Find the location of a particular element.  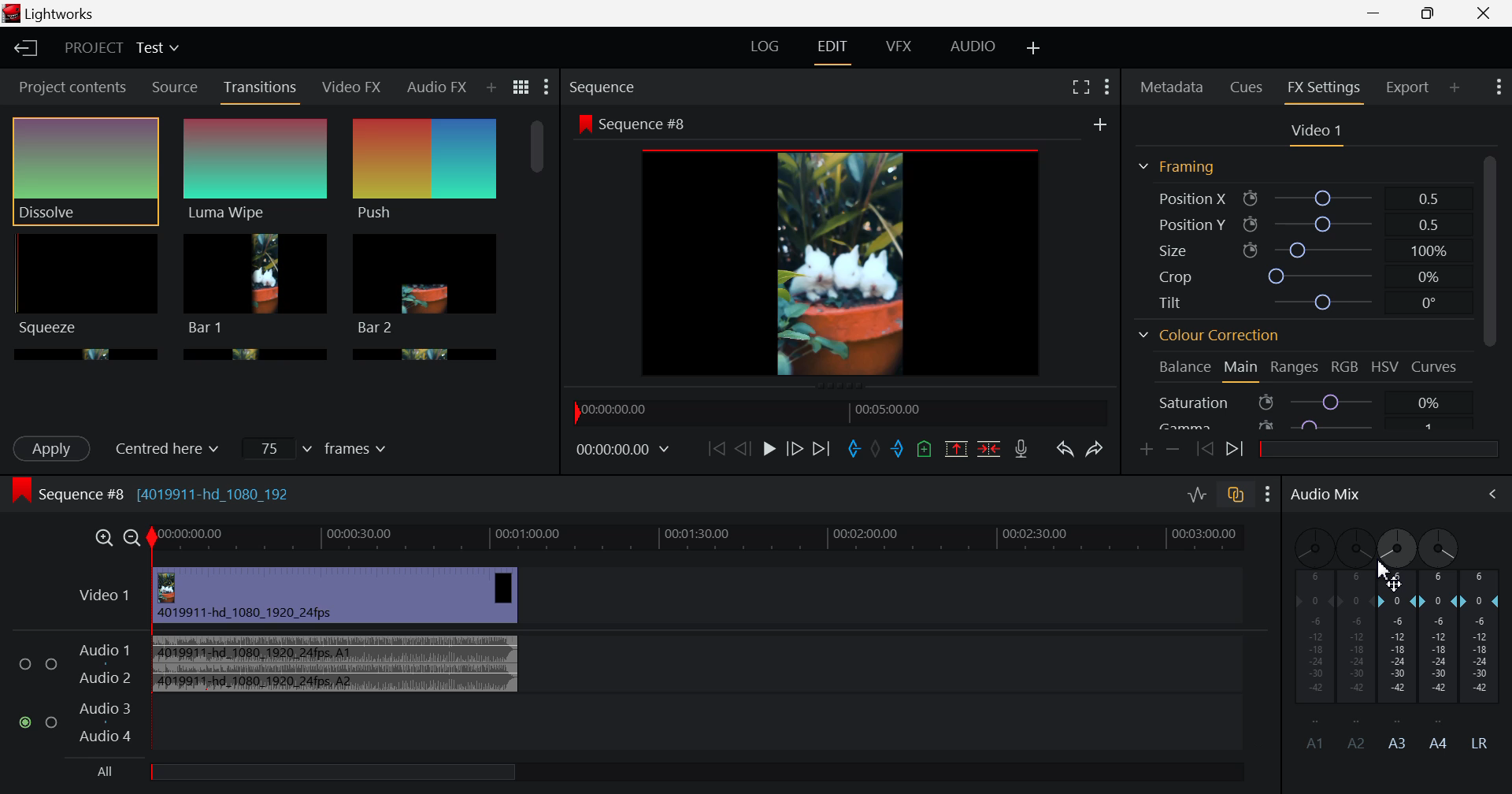

Curves is located at coordinates (1433, 366).